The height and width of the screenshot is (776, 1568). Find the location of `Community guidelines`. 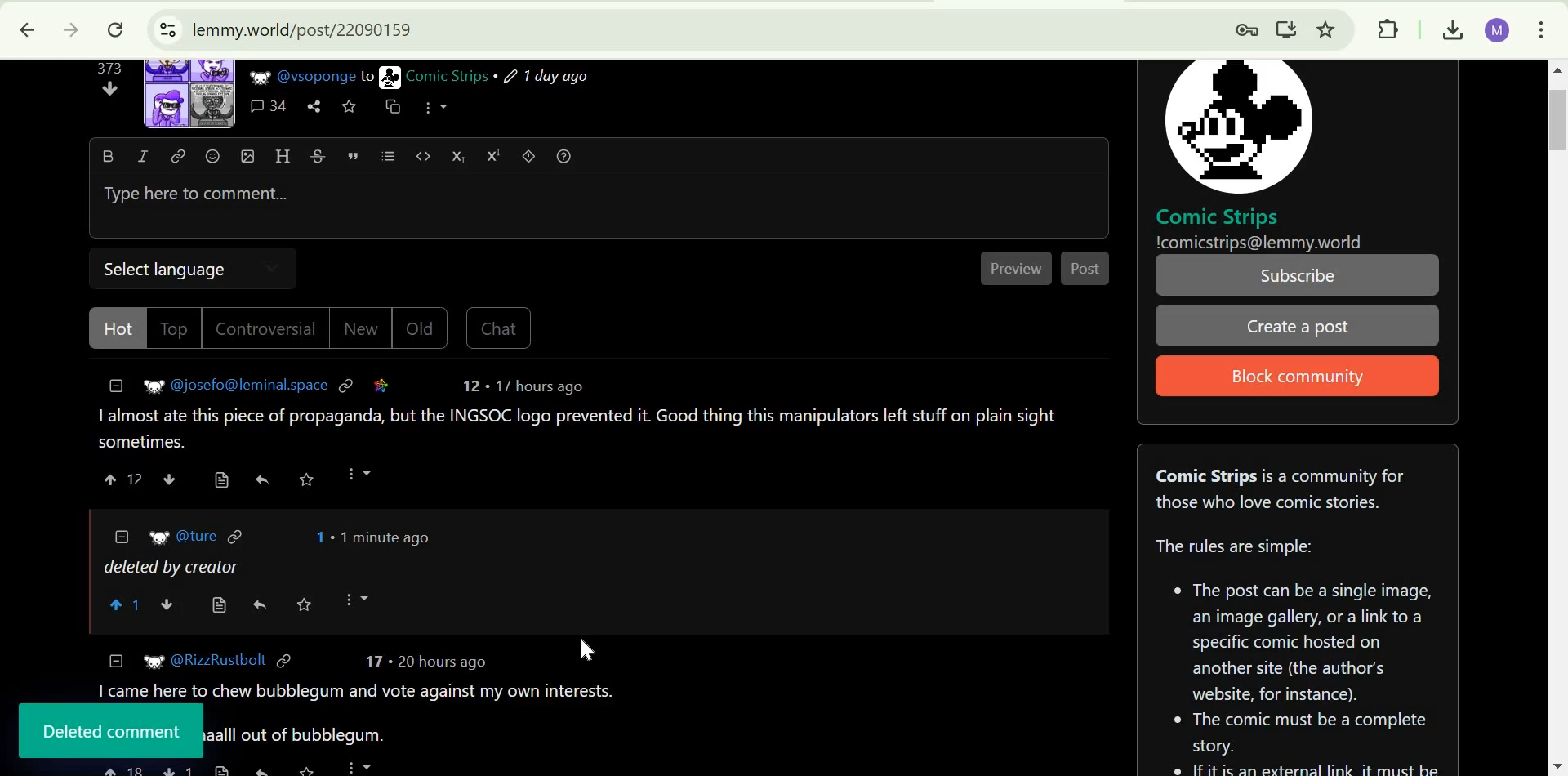

Community guidelines is located at coordinates (1299, 649).